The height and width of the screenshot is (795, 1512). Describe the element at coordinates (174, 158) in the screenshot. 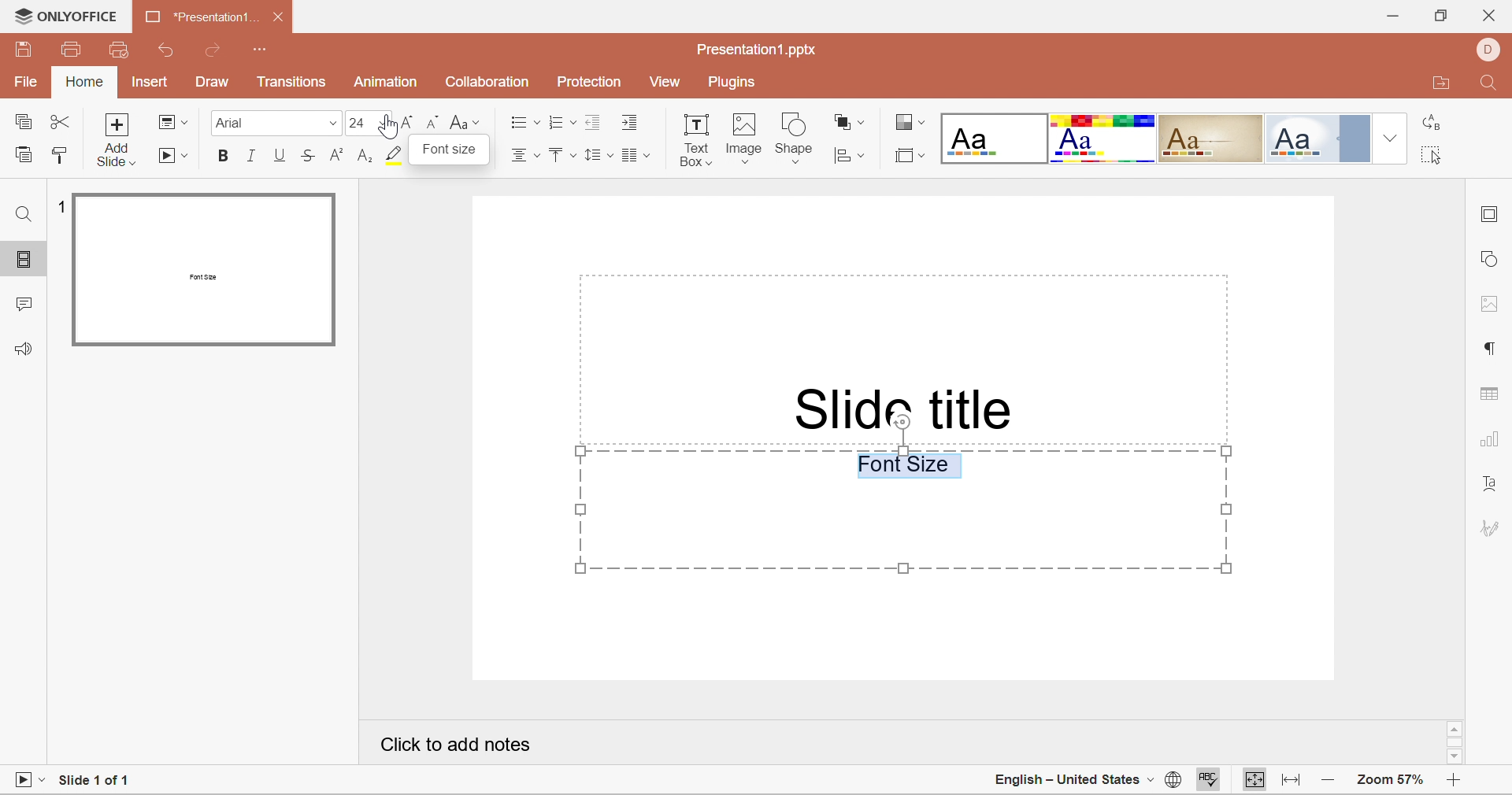

I see `Start slideshow` at that location.